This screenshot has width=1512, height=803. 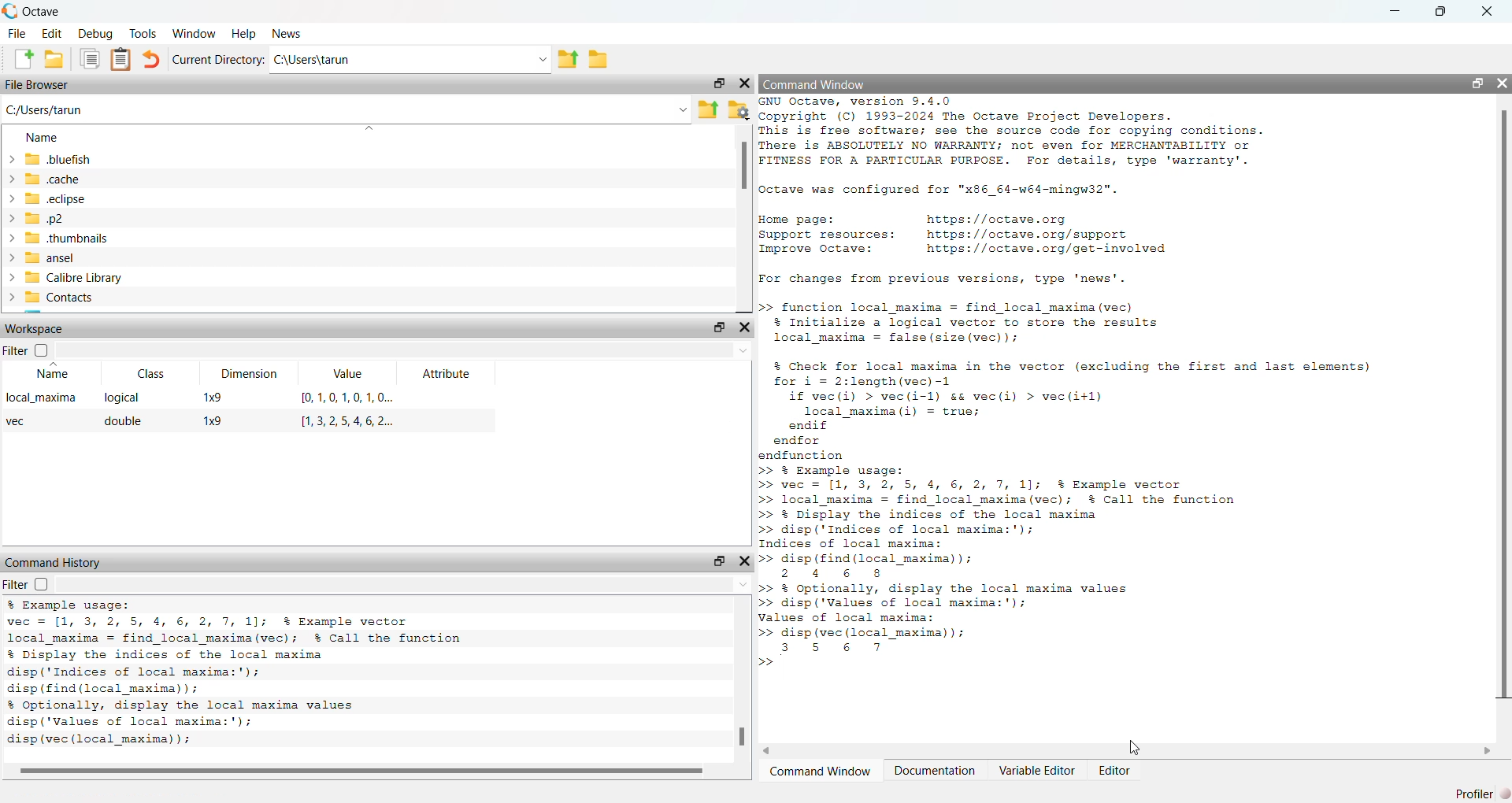 What do you see at coordinates (89, 59) in the screenshot?
I see `Copy` at bounding box center [89, 59].